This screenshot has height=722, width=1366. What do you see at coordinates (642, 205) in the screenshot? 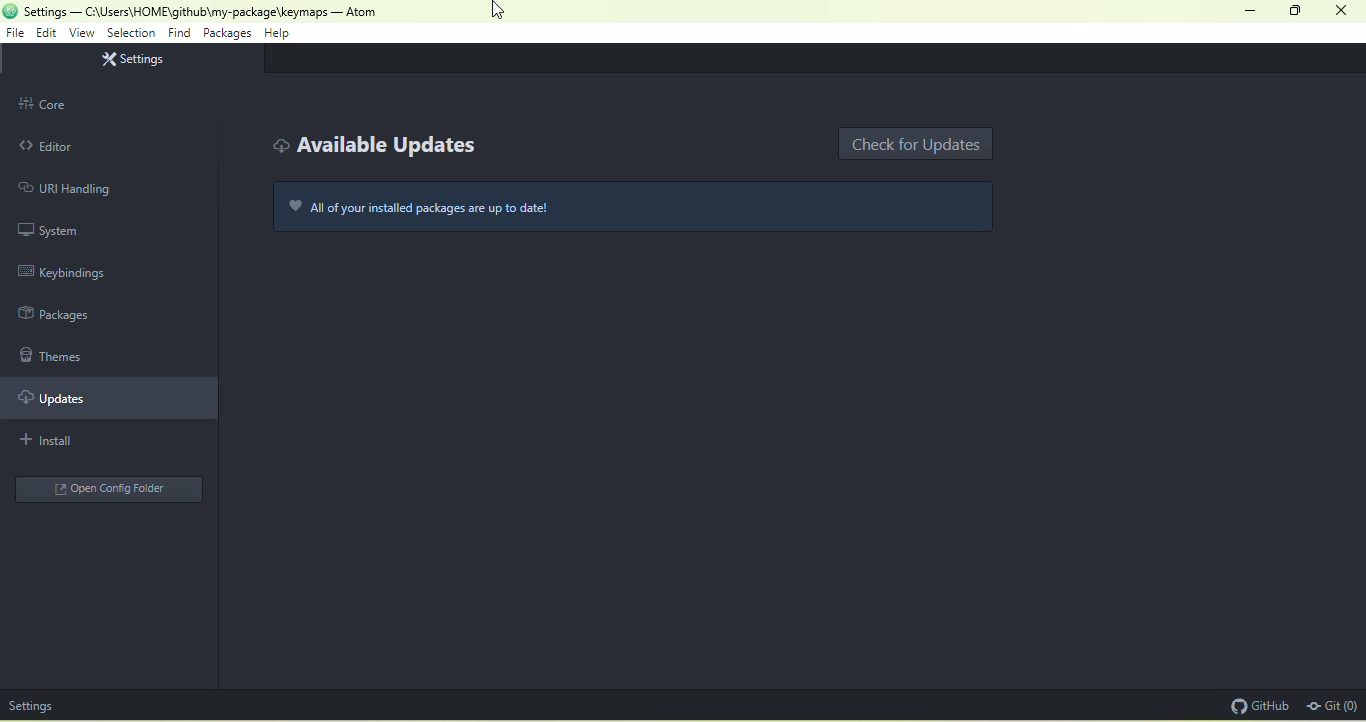
I see `text on previous update` at bounding box center [642, 205].